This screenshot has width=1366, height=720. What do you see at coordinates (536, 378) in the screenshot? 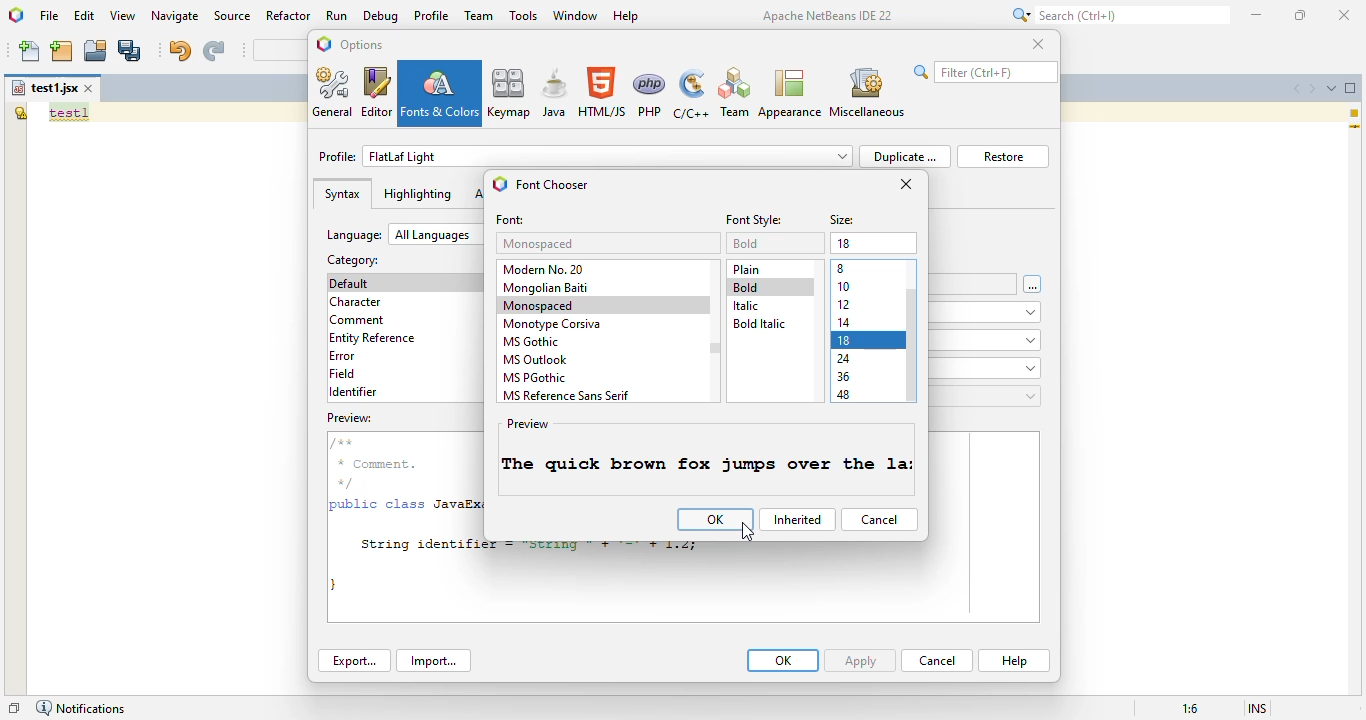
I see `MS PGothic` at bounding box center [536, 378].